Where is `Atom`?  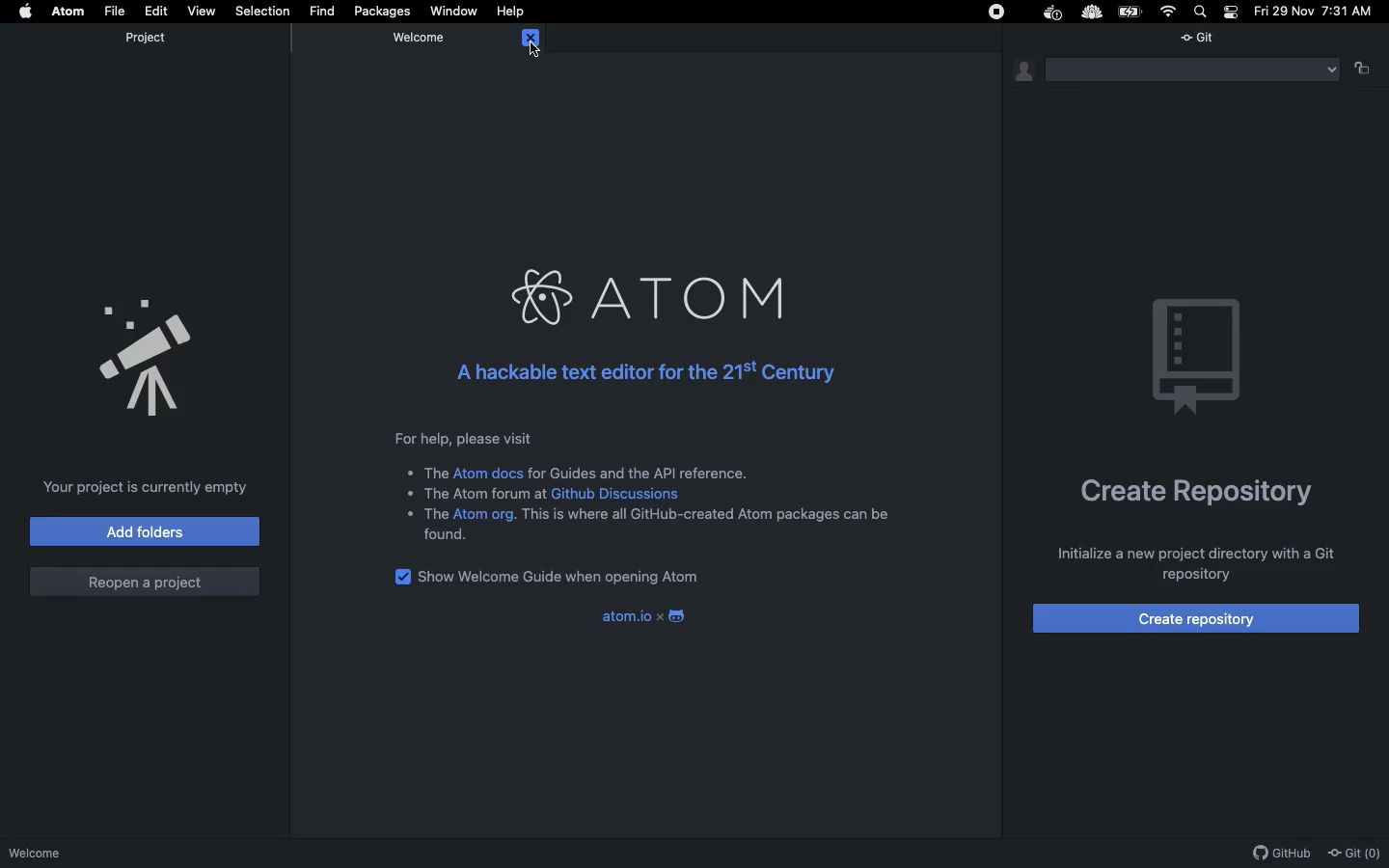 Atom is located at coordinates (68, 10).